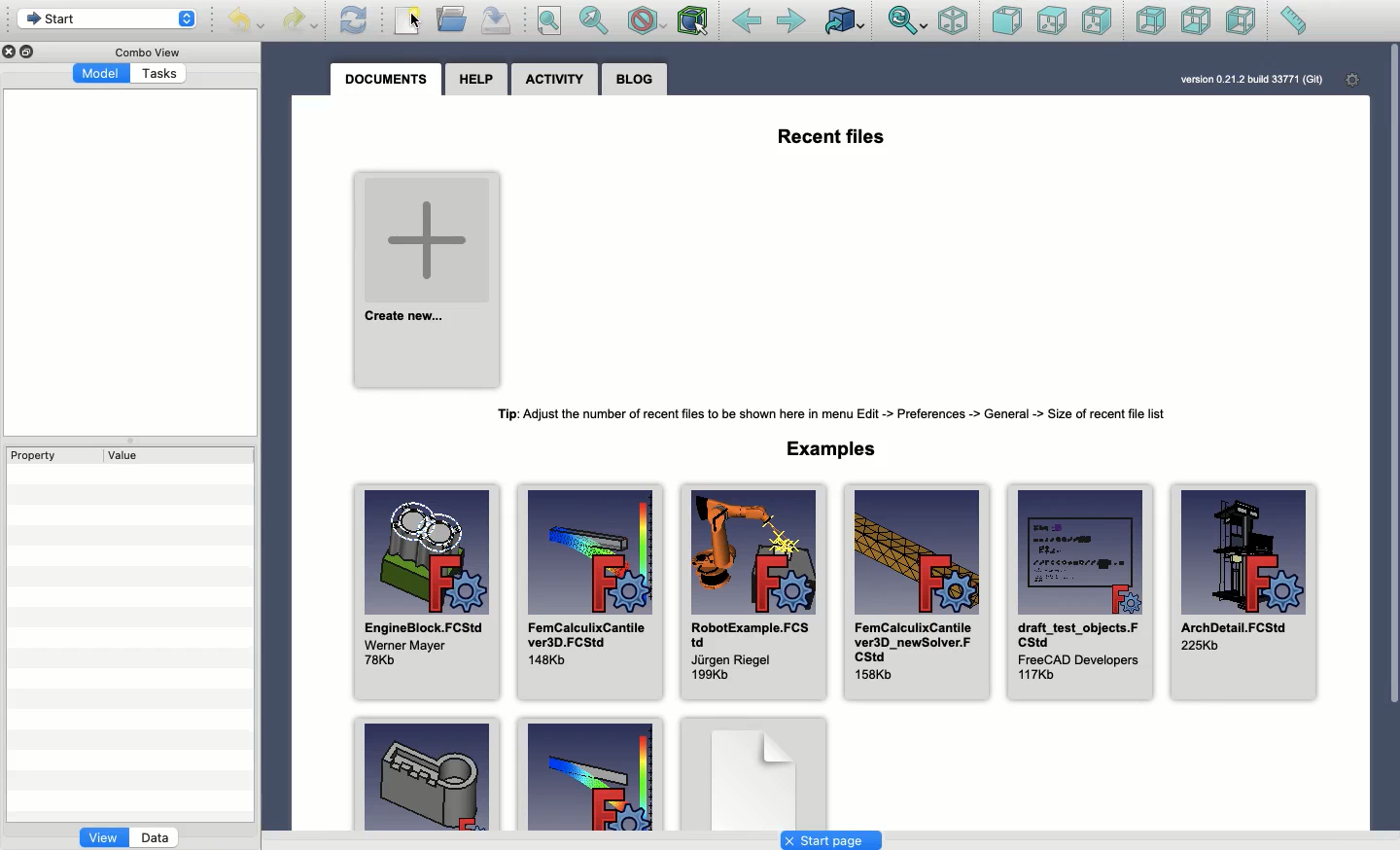 This screenshot has height=850, width=1400. What do you see at coordinates (1391, 435) in the screenshot?
I see `Scroll` at bounding box center [1391, 435].